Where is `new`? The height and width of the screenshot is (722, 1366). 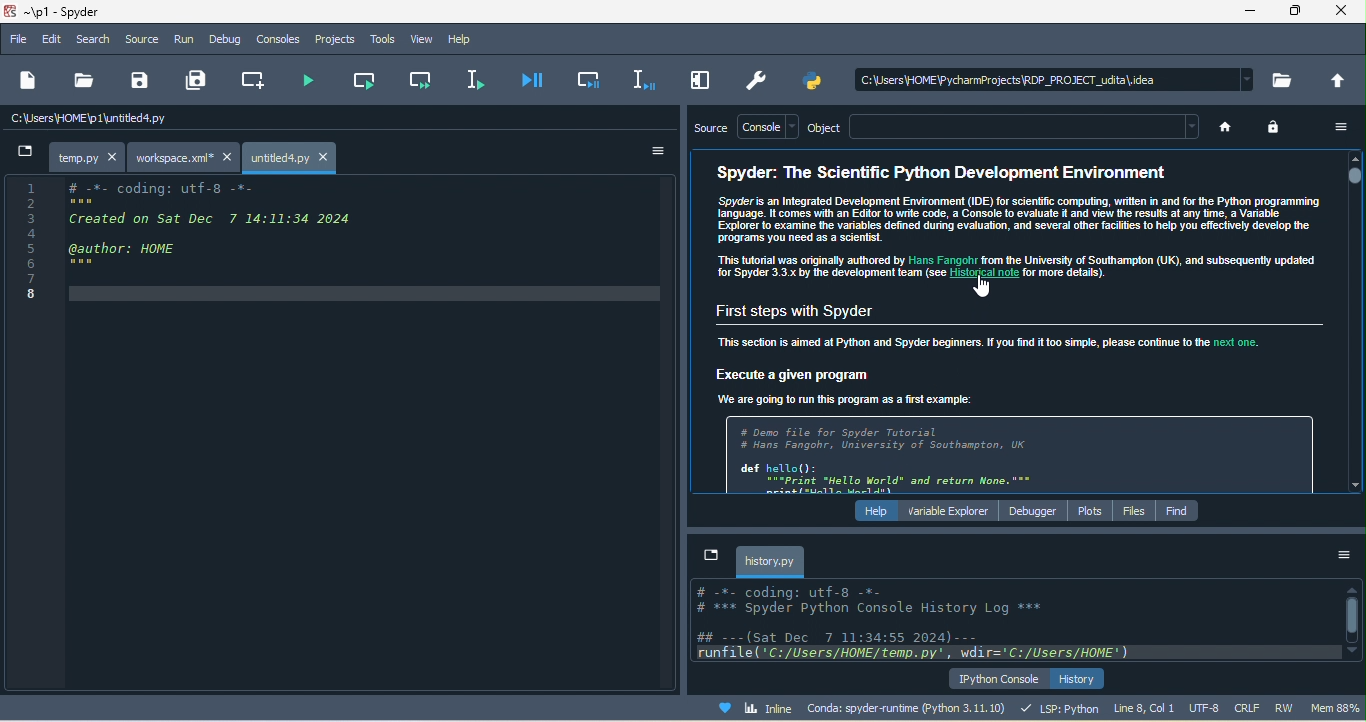
new is located at coordinates (28, 79).